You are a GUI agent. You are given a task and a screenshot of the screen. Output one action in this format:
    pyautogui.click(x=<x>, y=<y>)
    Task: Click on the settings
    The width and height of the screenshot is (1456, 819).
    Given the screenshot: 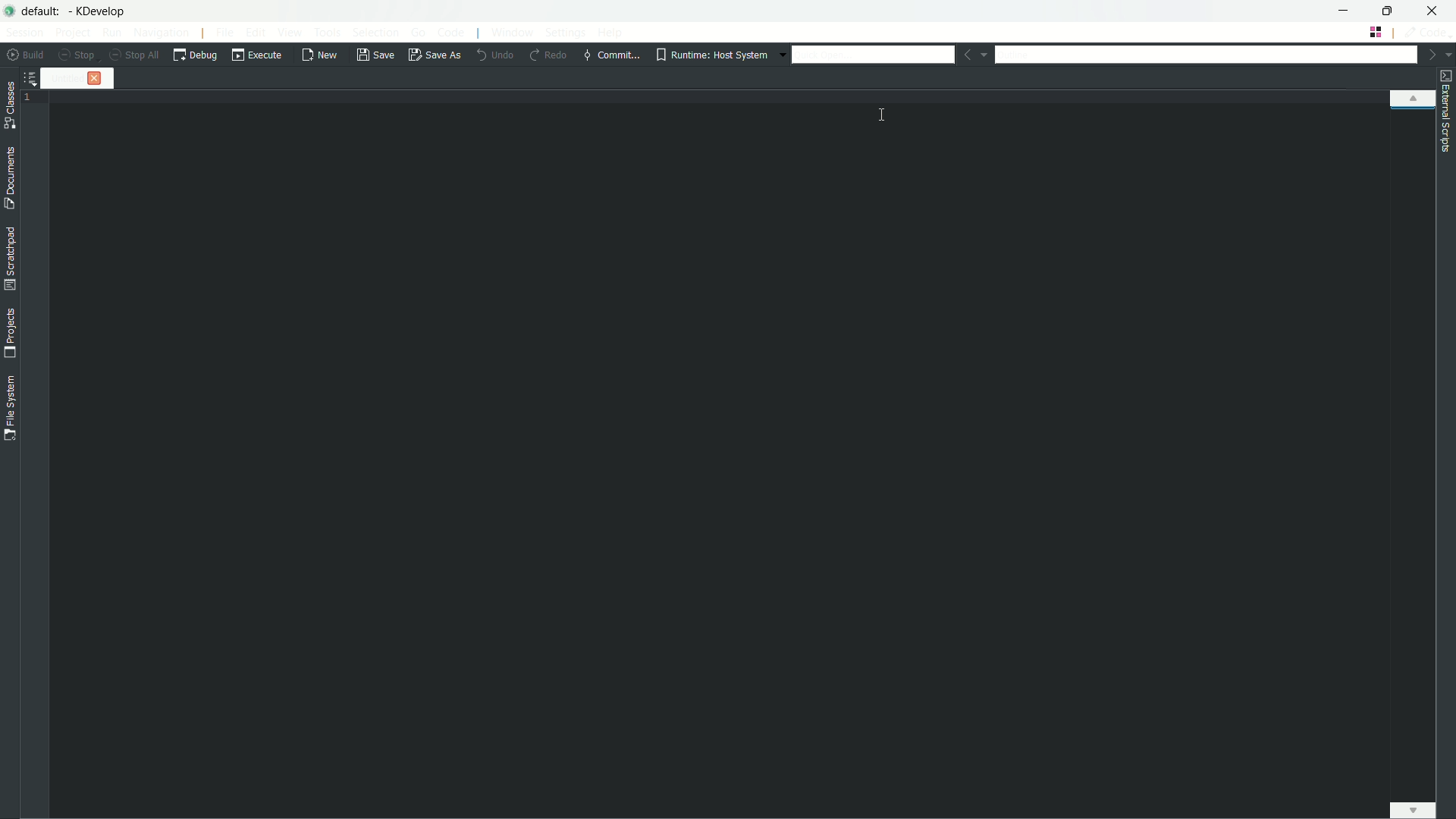 What is the action you would take?
    pyautogui.click(x=565, y=33)
    